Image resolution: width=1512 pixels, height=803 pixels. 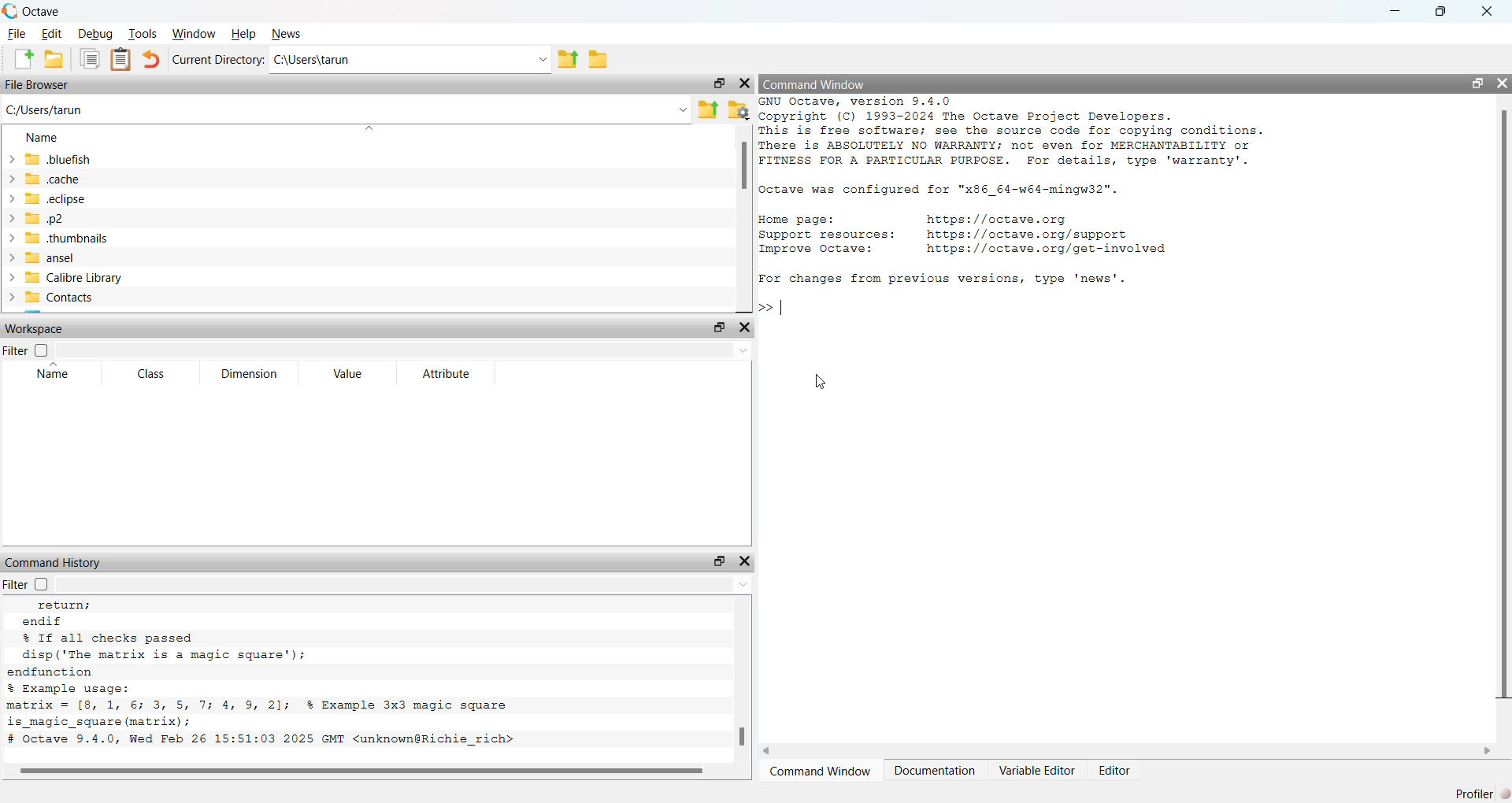 I want to click on News, so click(x=287, y=34).